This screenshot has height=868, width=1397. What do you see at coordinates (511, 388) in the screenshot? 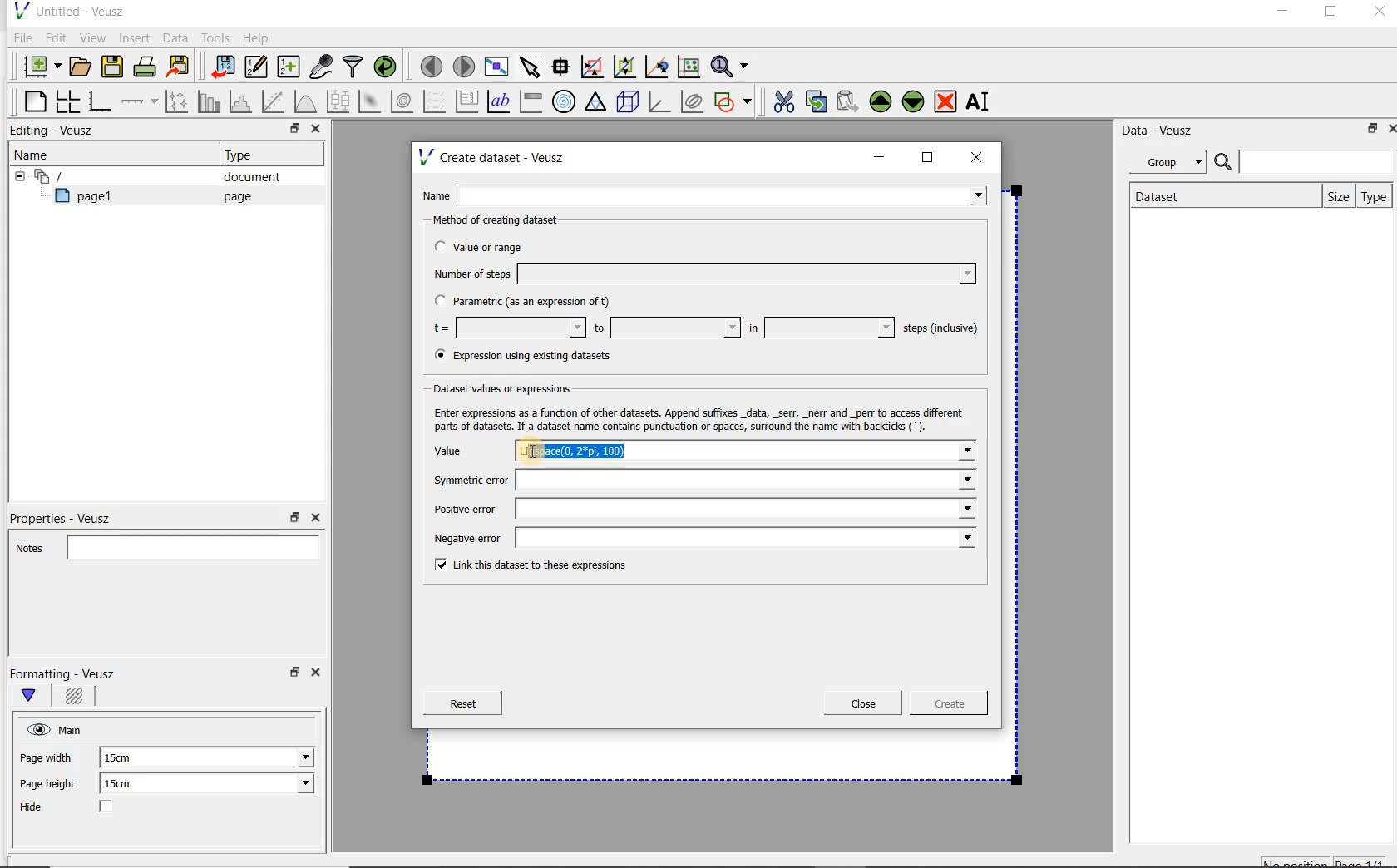
I see `Dataset values or expressions` at bounding box center [511, 388].